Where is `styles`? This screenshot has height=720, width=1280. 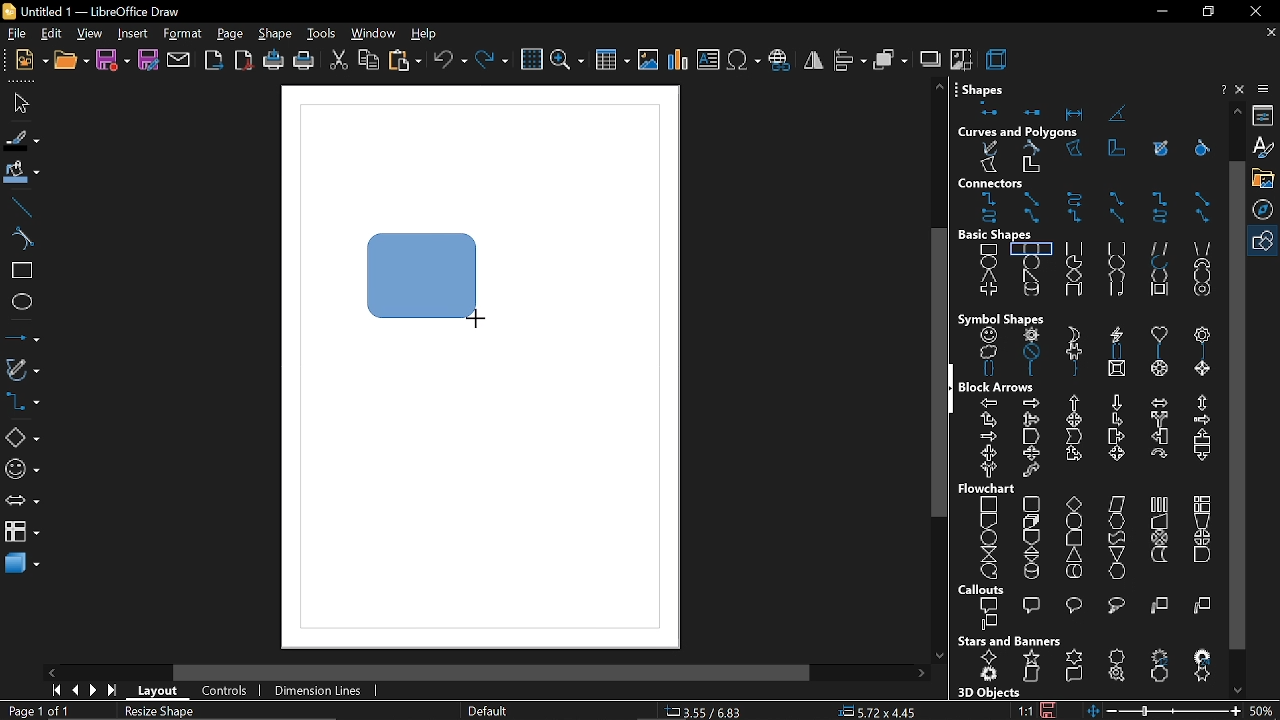 styles is located at coordinates (1265, 148).